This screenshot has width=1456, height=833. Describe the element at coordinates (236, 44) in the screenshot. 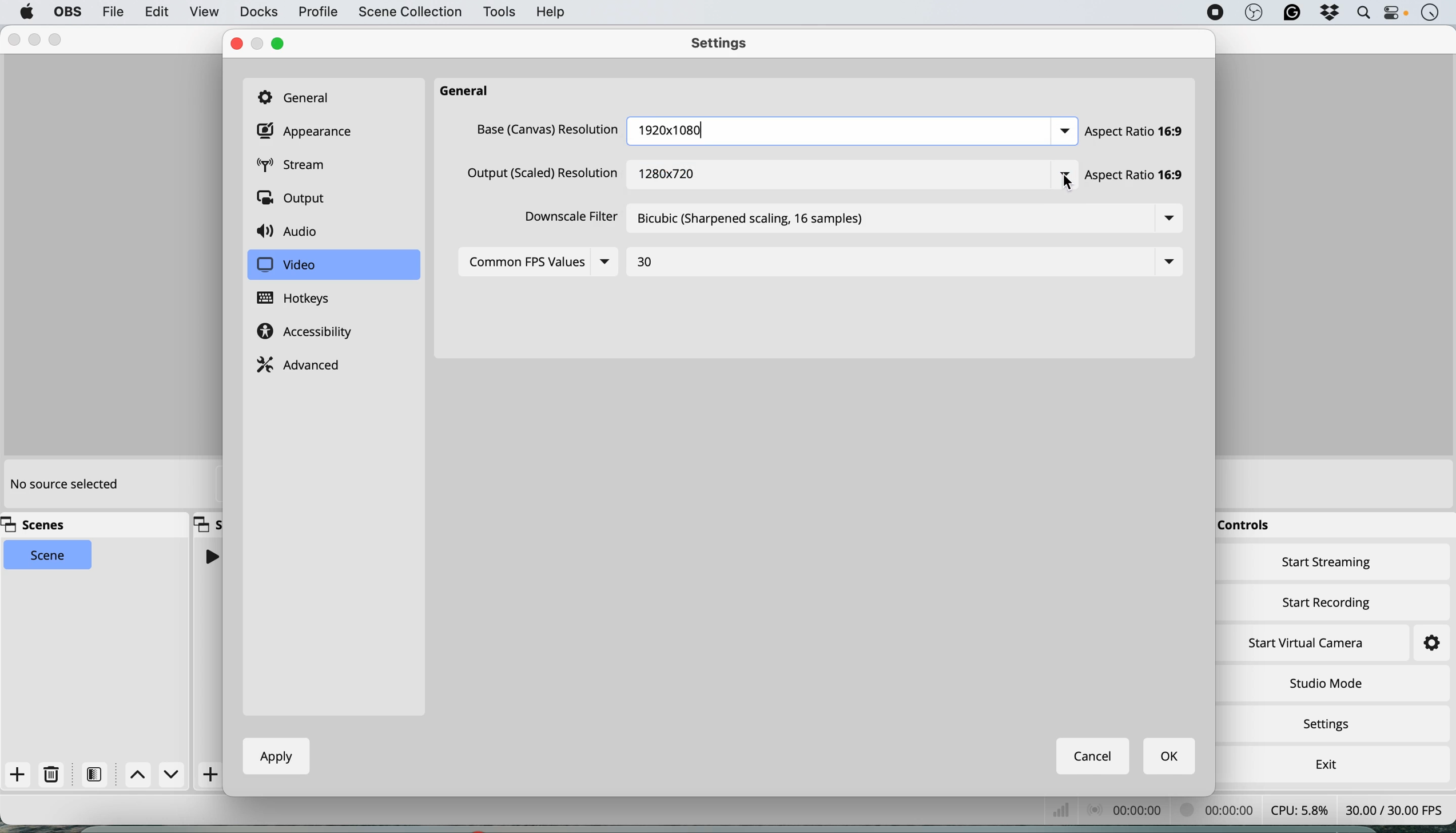

I see `close` at that location.